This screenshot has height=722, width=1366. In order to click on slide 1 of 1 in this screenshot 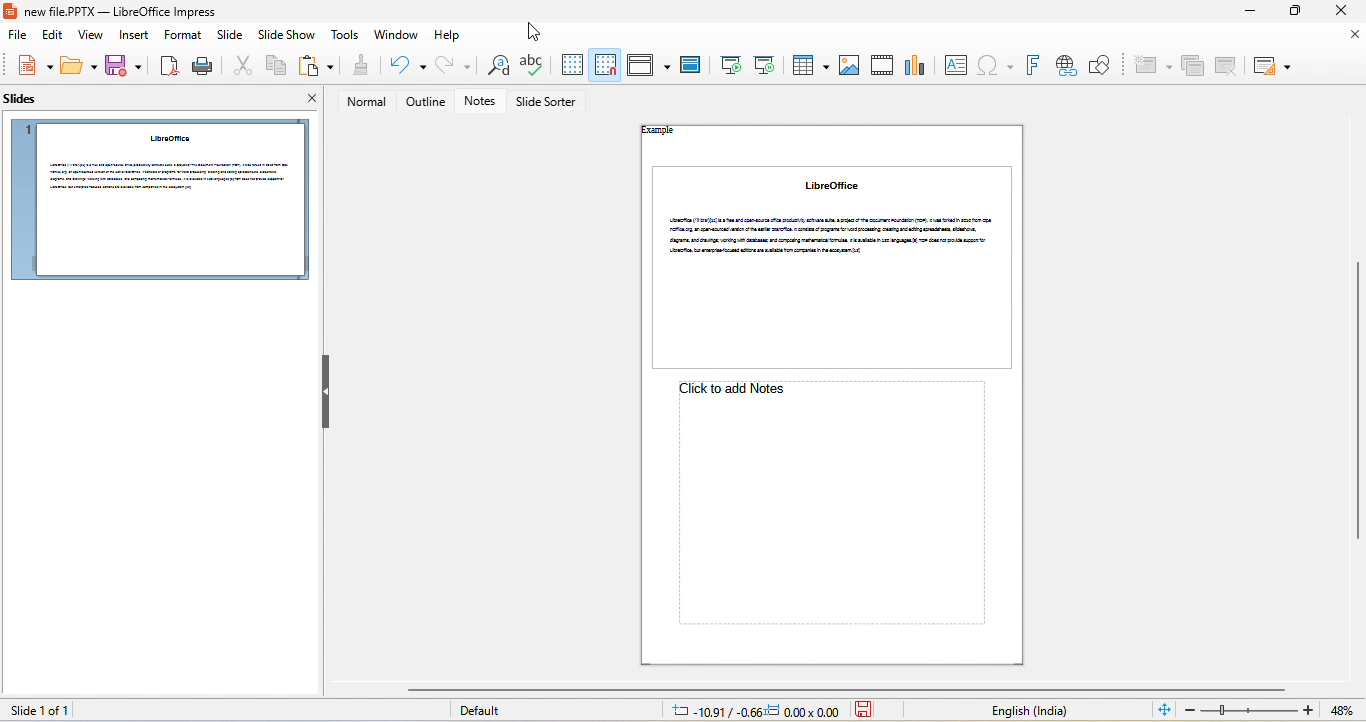, I will do `click(37, 710)`.